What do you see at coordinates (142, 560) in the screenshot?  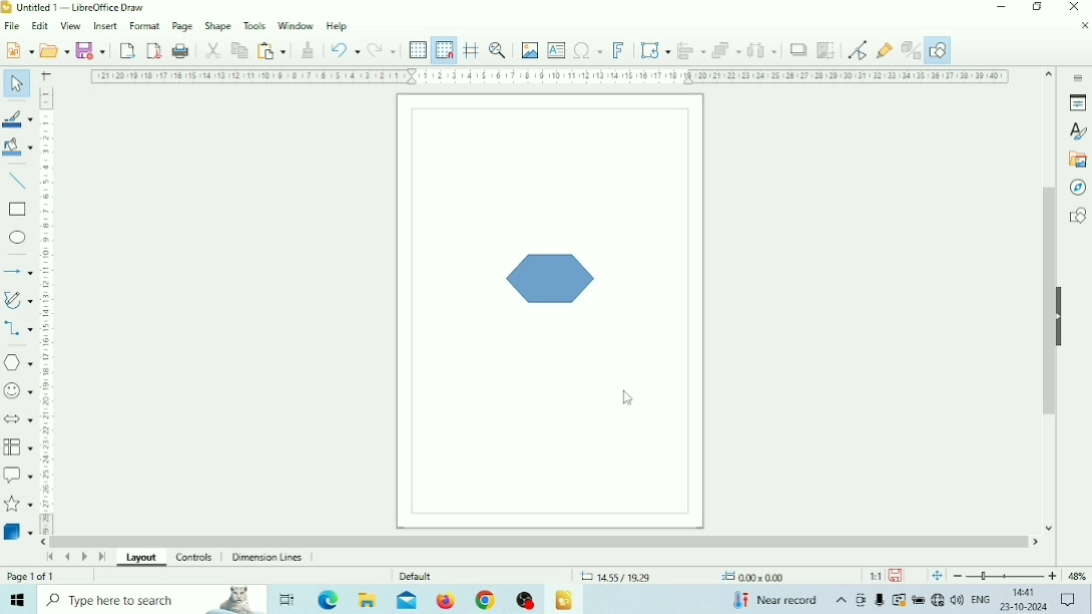 I see `Layout` at bounding box center [142, 560].